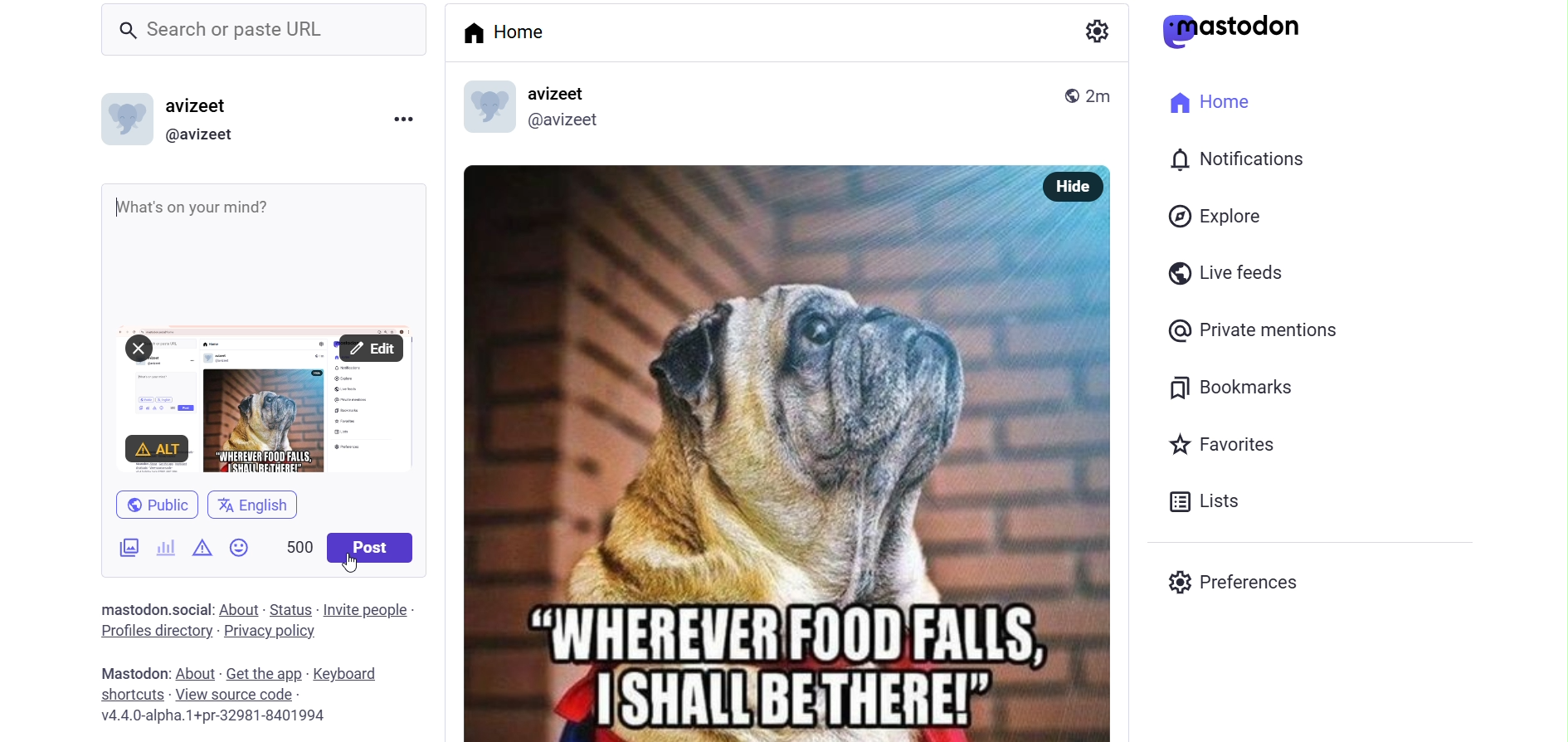  Describe the element at coordinates (1215, 216) in the screenshot. I see `explore` at that location.